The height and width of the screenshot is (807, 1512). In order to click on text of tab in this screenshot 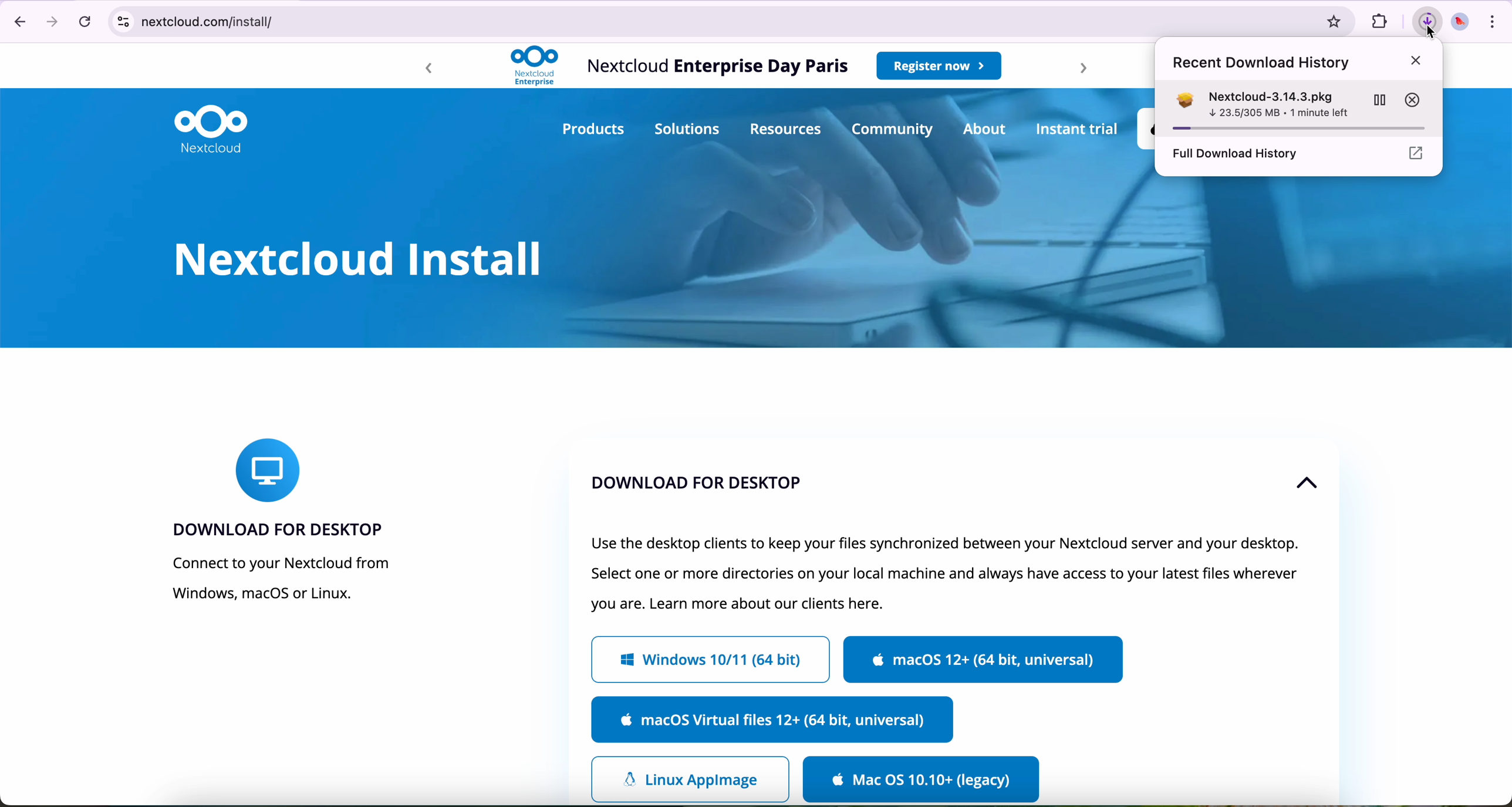, I will do `click(951, 572)`.